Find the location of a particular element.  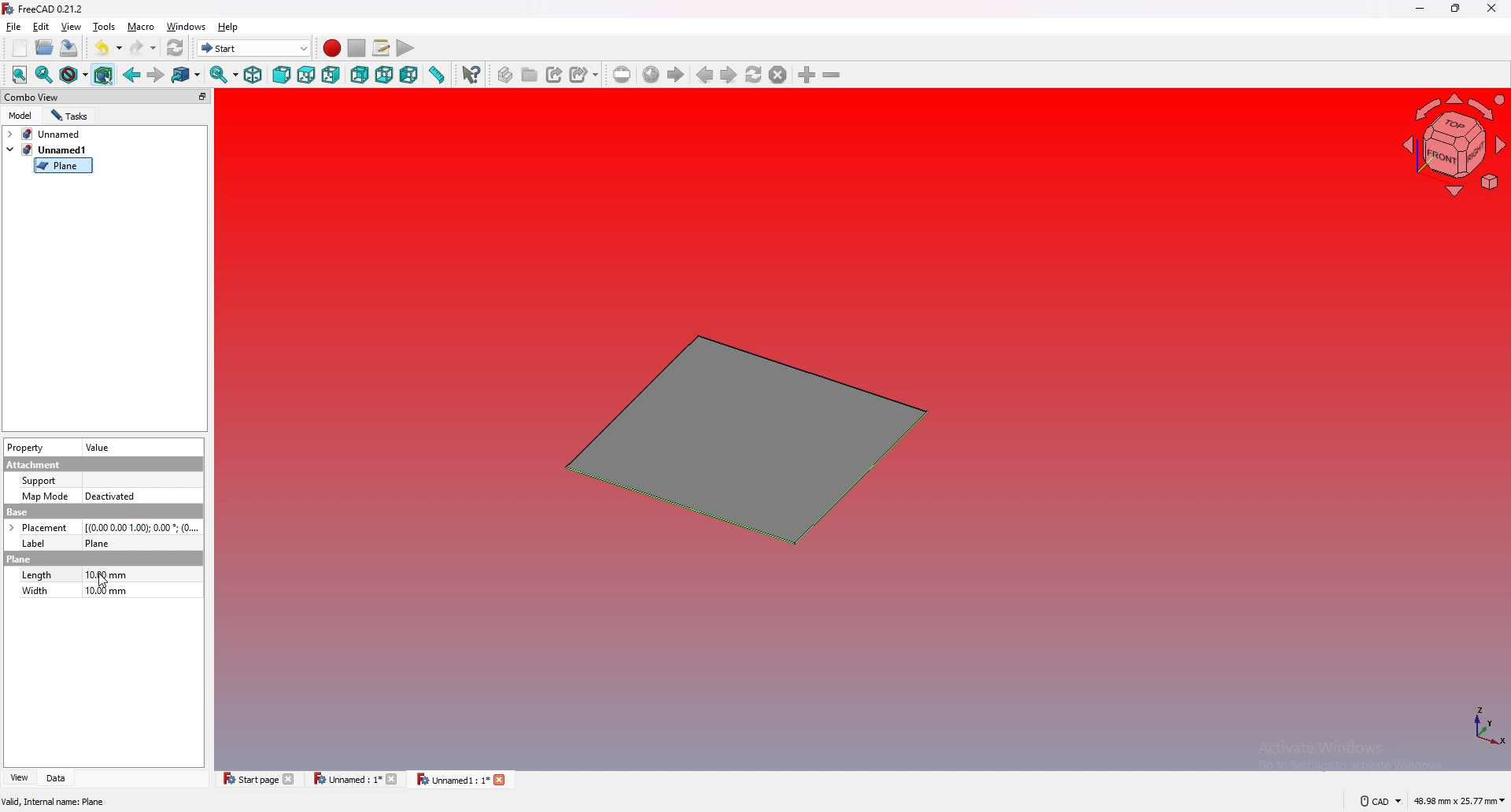

start is located at coordinates (254, 47).